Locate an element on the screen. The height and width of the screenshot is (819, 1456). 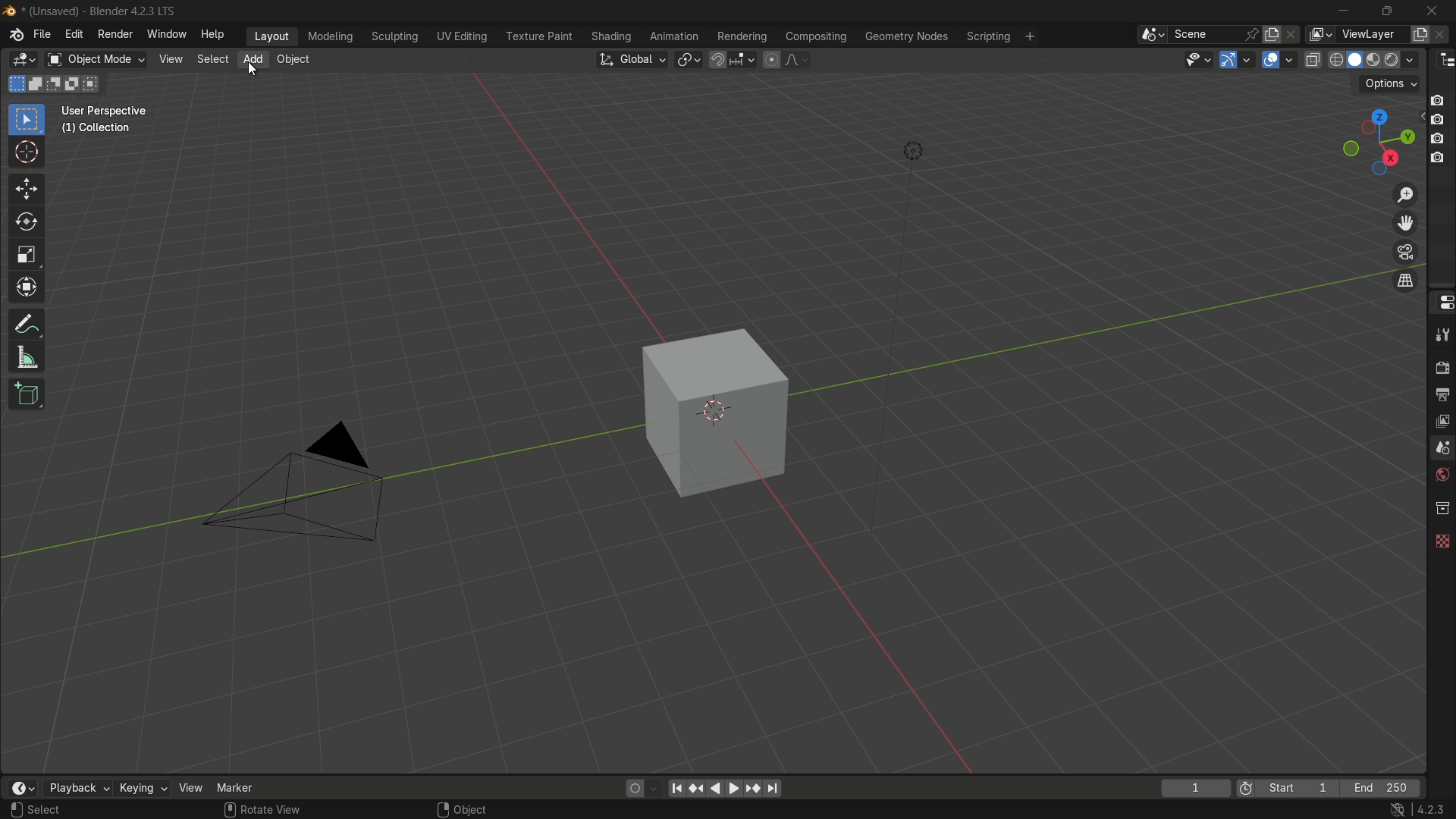
window menu is located at coordinates (168, 35).